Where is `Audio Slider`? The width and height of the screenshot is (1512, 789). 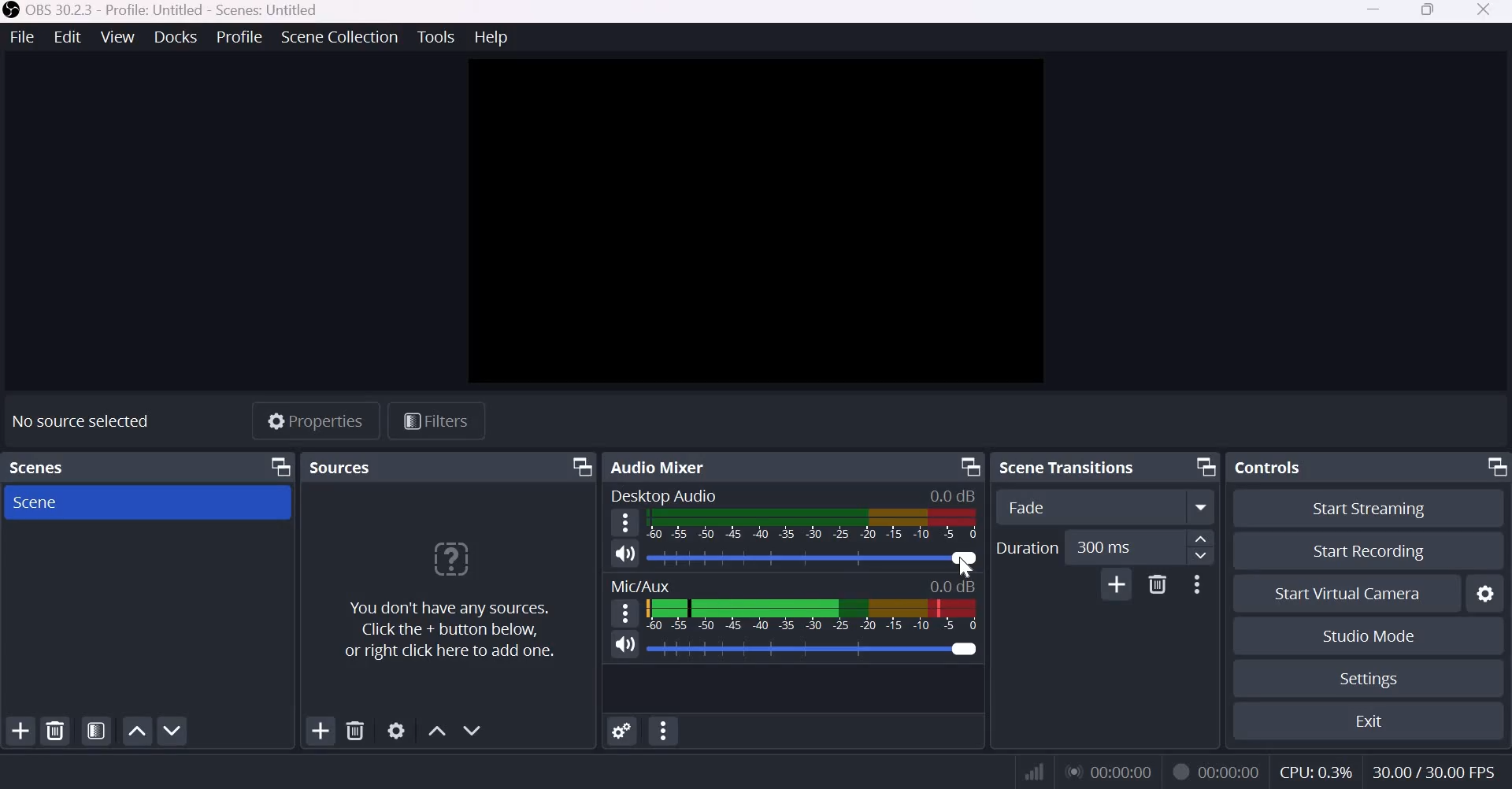 Audio Slider is located at coordinates (819, 647).